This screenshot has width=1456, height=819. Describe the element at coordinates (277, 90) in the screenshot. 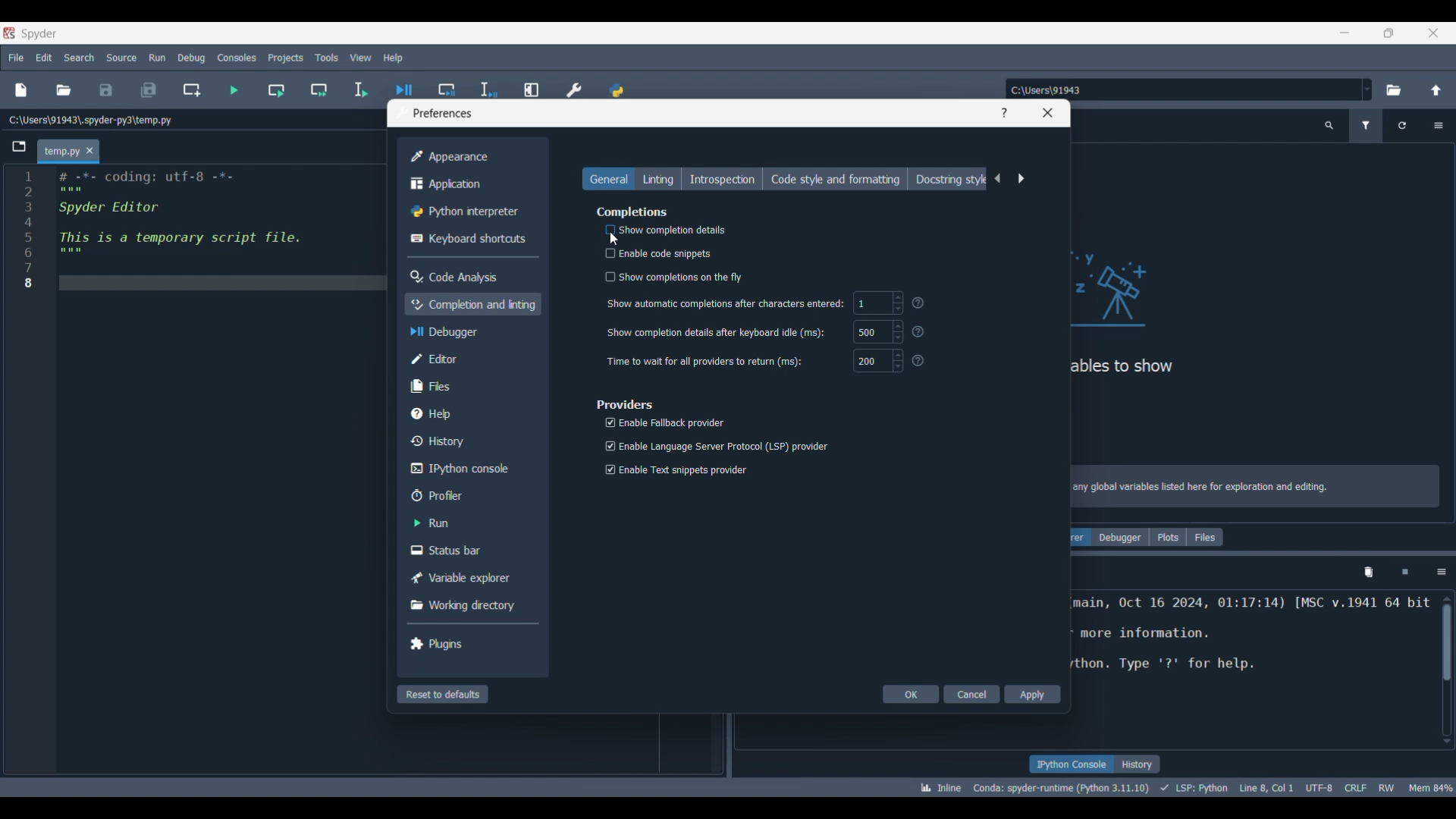

I see `Run current cell` at that location.